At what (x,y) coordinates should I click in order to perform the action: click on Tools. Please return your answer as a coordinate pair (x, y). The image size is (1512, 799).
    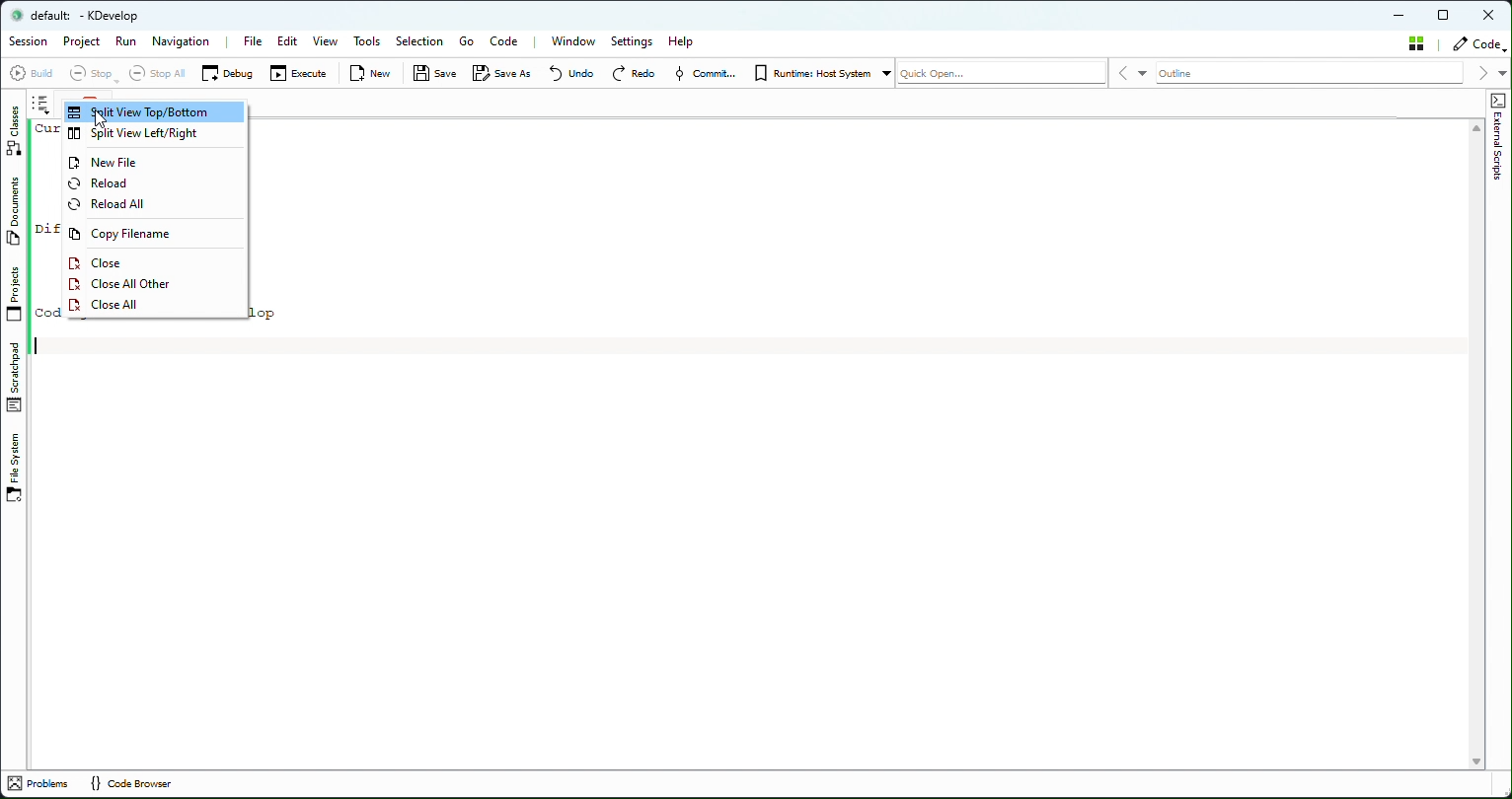
    Looking at the image, I should click on (368, 40).